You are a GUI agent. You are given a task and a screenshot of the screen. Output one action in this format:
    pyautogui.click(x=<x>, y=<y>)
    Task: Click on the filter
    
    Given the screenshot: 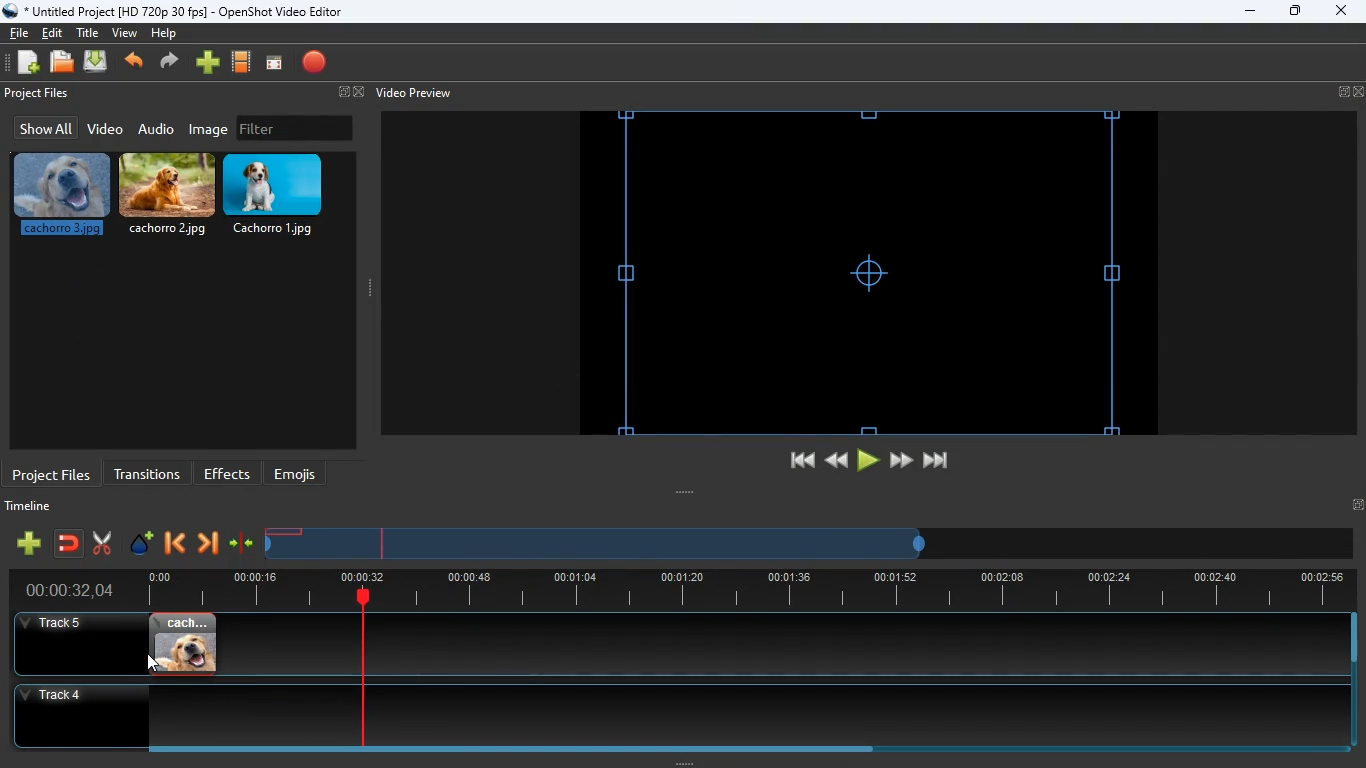 What is the action you would take?
    pyautogui.click(x=295, y=128)
    